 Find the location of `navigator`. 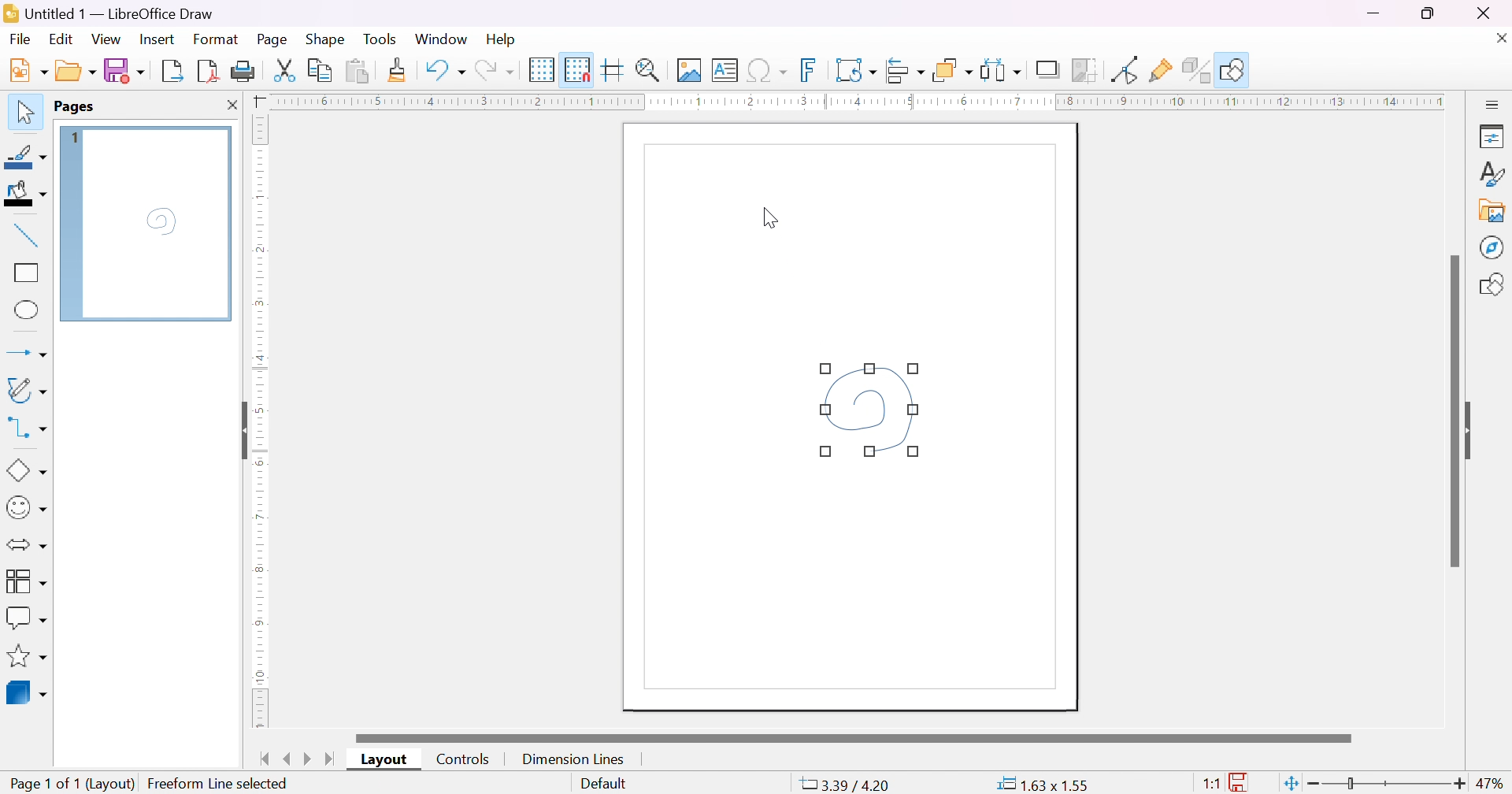

navigator is located at coordinates (1493, 247).